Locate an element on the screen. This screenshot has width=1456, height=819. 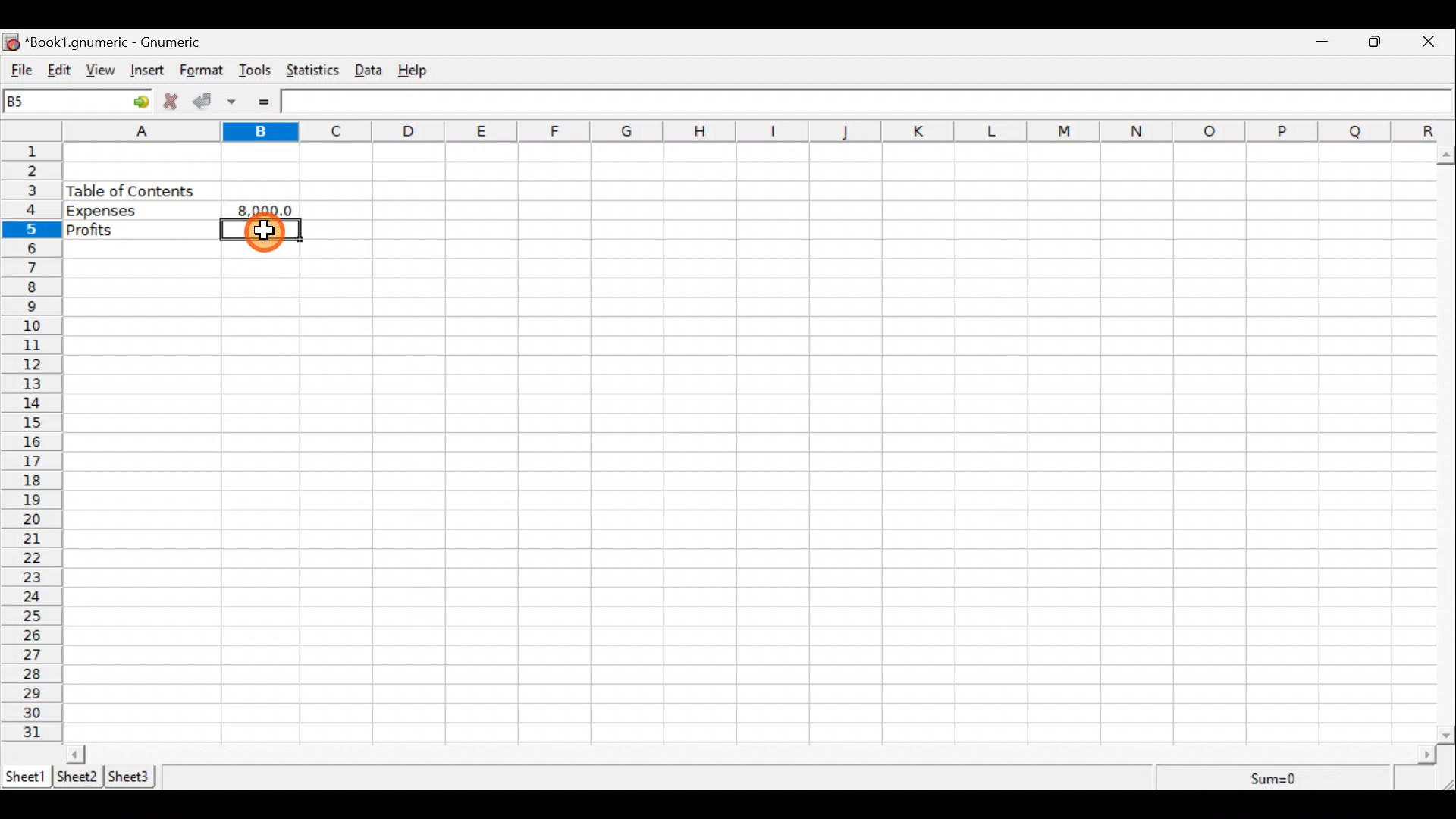
Sum=0 is located at coordinates (1276, 780).